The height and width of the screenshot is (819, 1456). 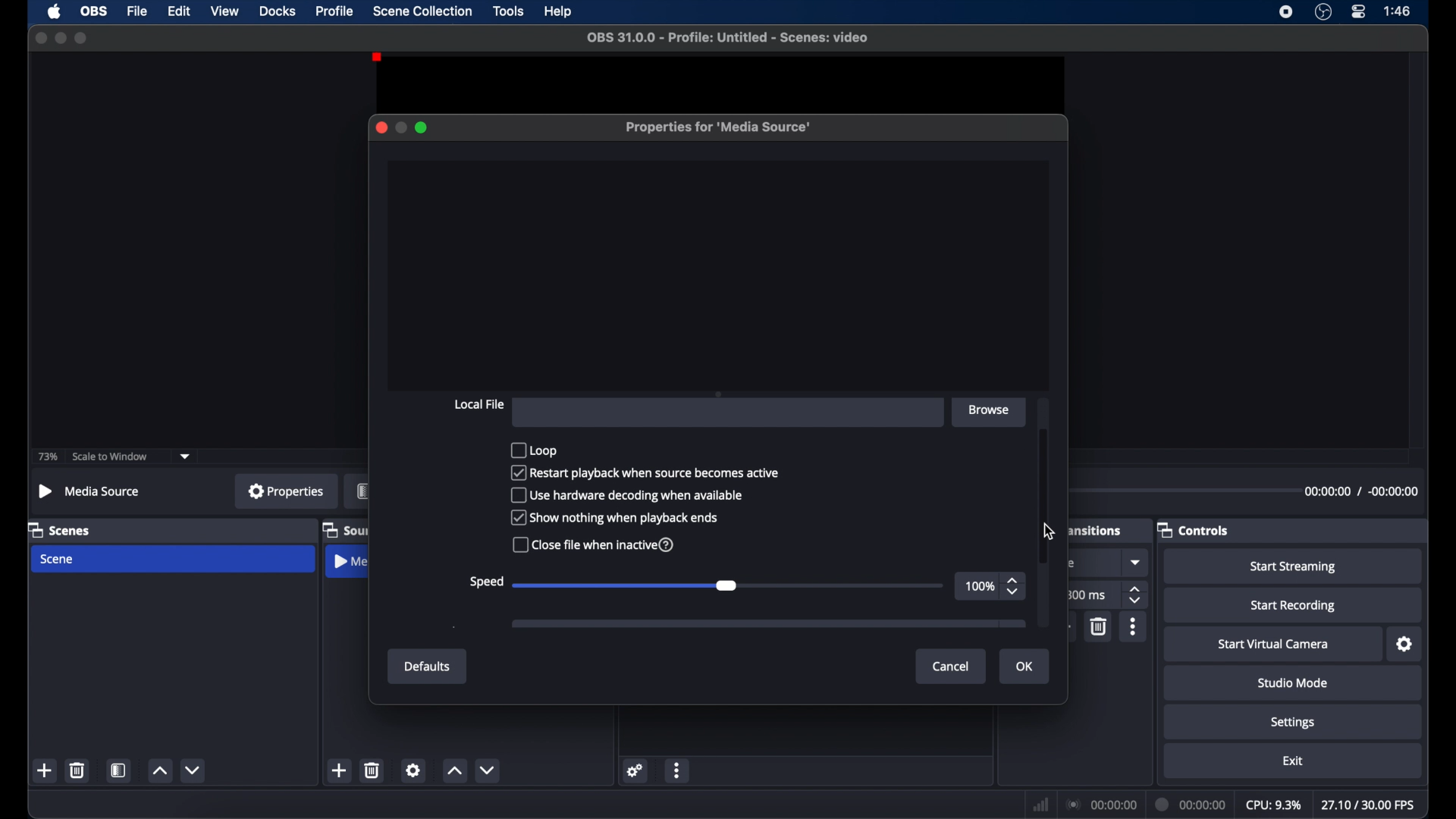 What do you see at coordinates (645, 473) in the screenshot?
I see `restart playback when source becomes active` at bounding box center [645, 473].